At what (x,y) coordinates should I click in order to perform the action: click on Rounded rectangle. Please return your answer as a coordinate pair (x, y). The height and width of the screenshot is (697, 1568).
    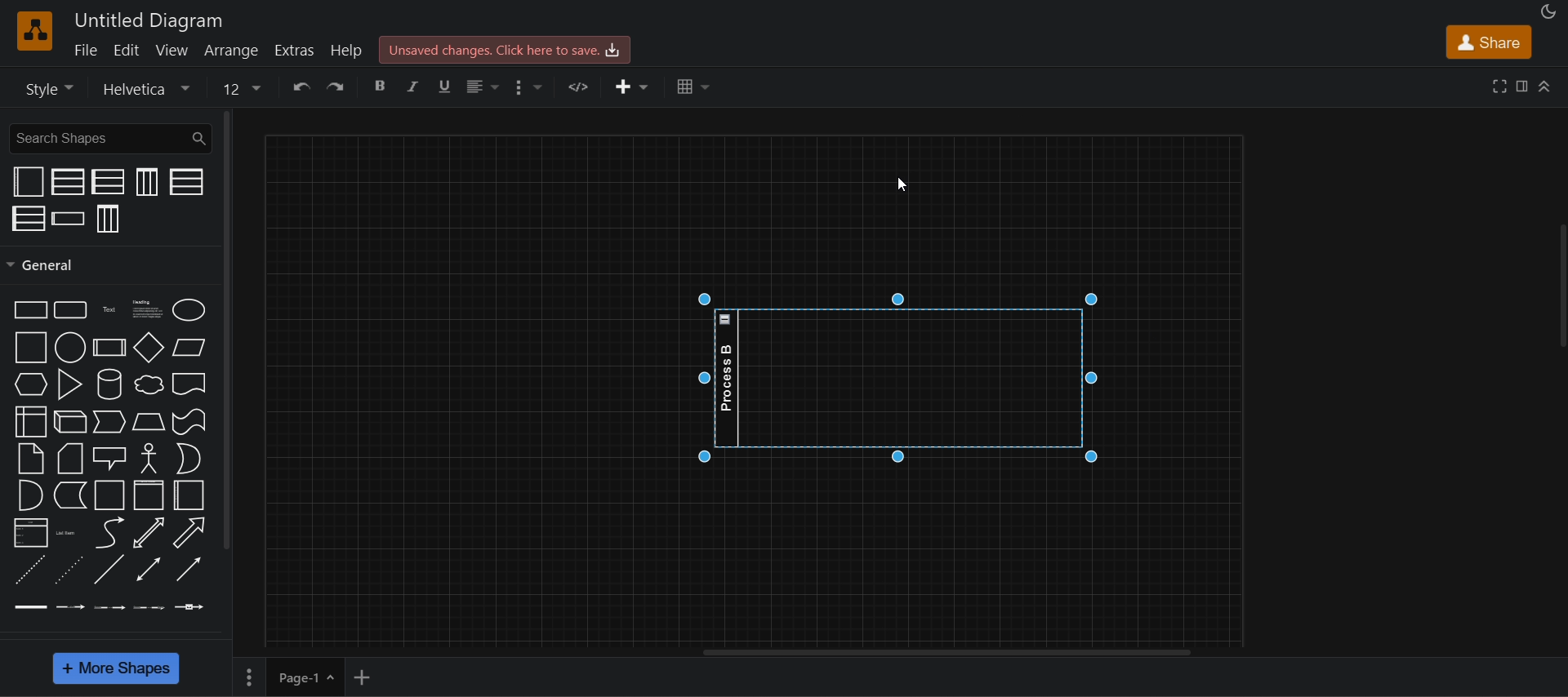
    Looking at the image, I should click on (71, 310).